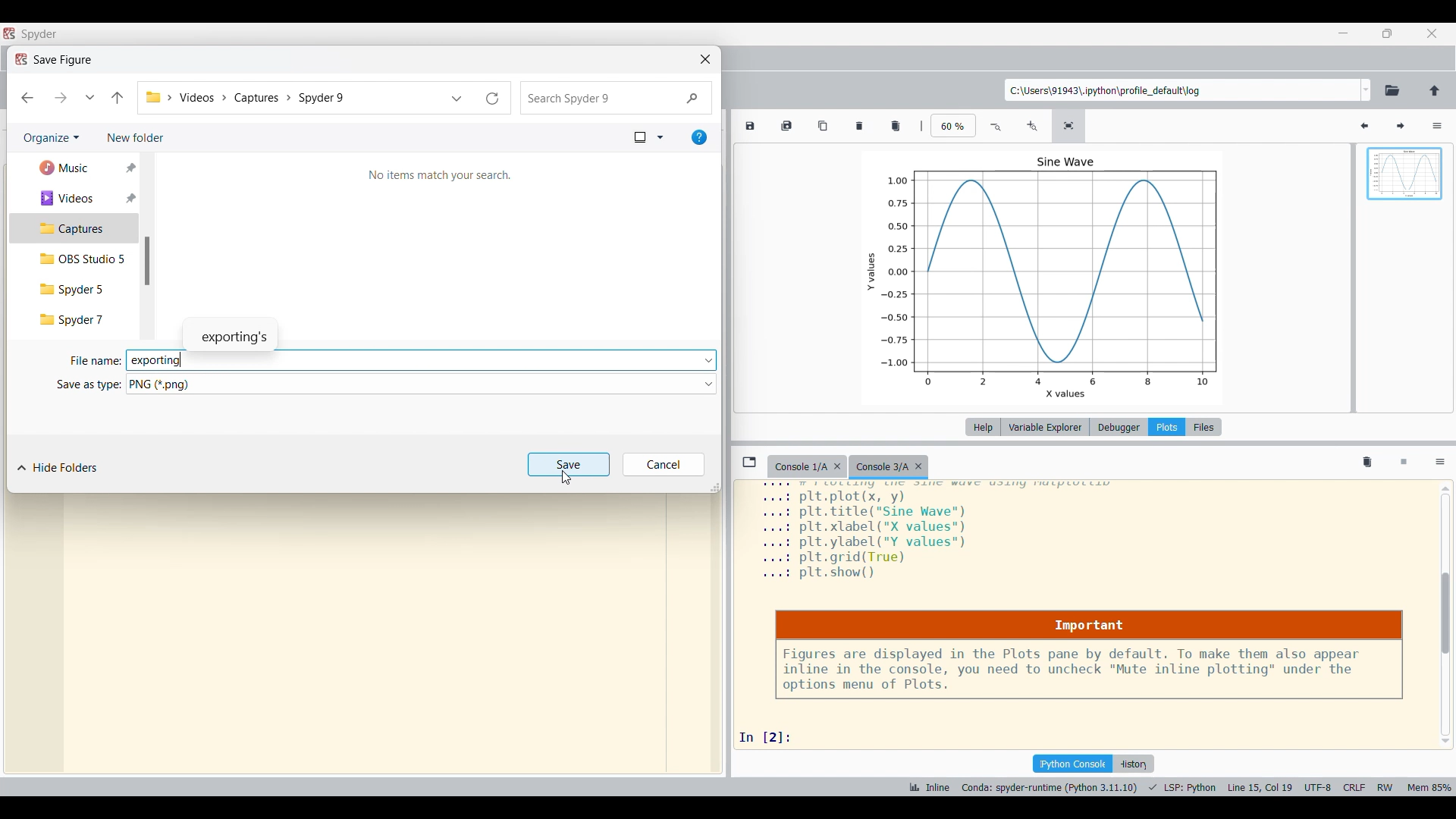  I want to click on suggestion: exporting, so click(237, 332).